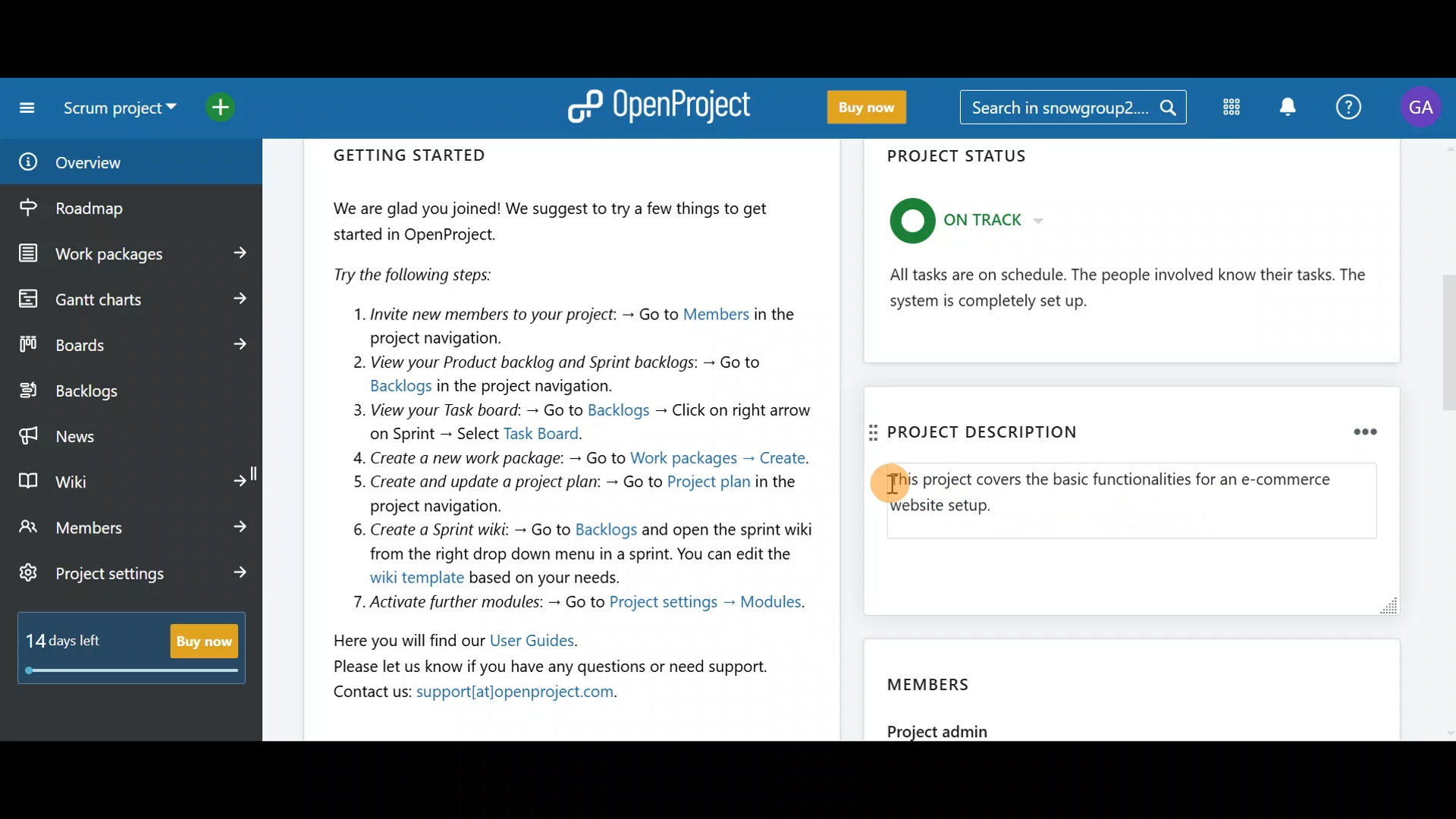 Image resolution: width=1456 pixels, height=819 pixels. Describe the element at coordinates (123, 114) in the screenshot. I see `Select a project` at that location.